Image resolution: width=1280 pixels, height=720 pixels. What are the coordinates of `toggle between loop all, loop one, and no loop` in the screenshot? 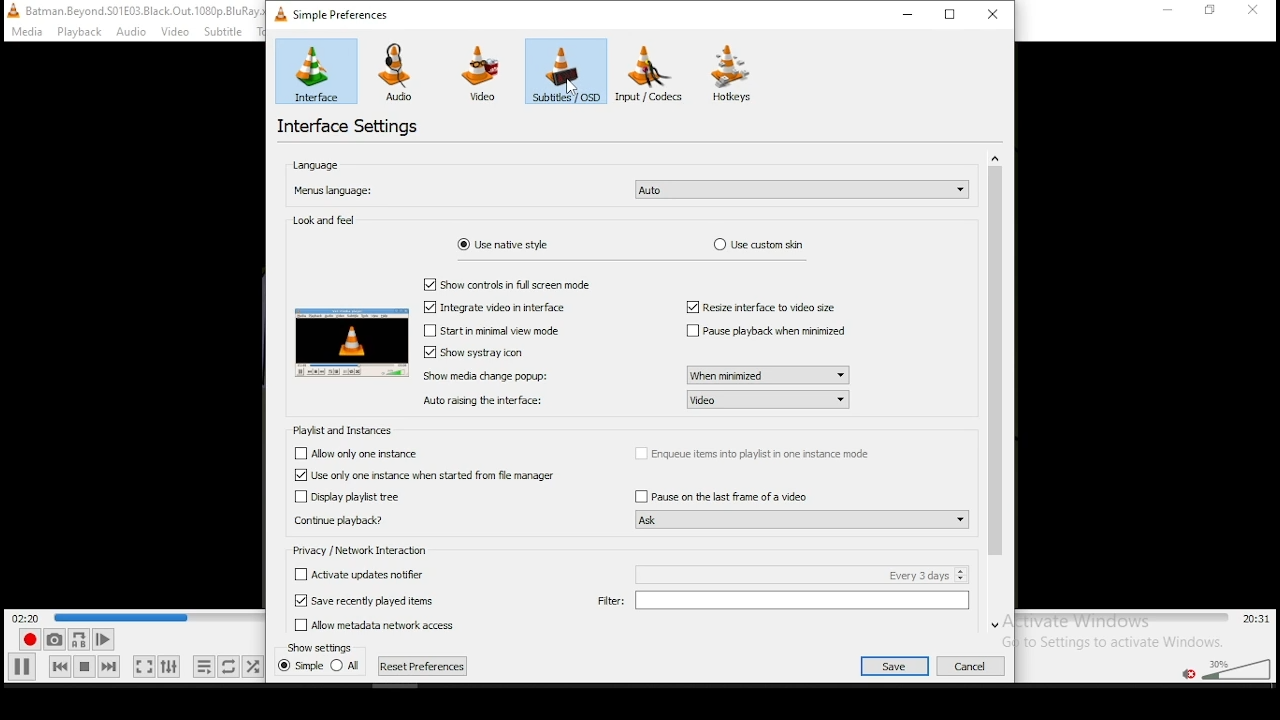 It's located at (228, 666).